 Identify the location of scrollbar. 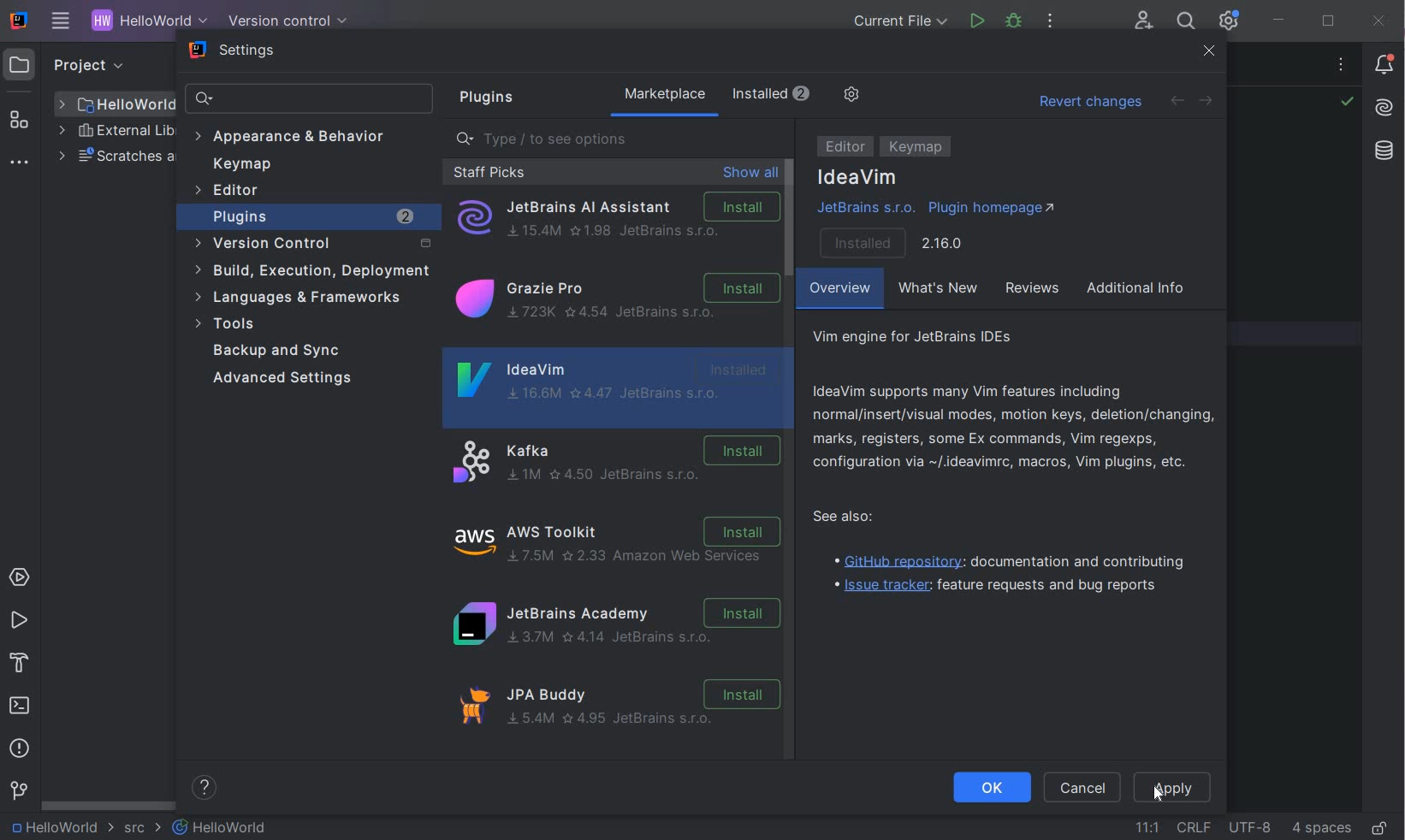
(789, 219).